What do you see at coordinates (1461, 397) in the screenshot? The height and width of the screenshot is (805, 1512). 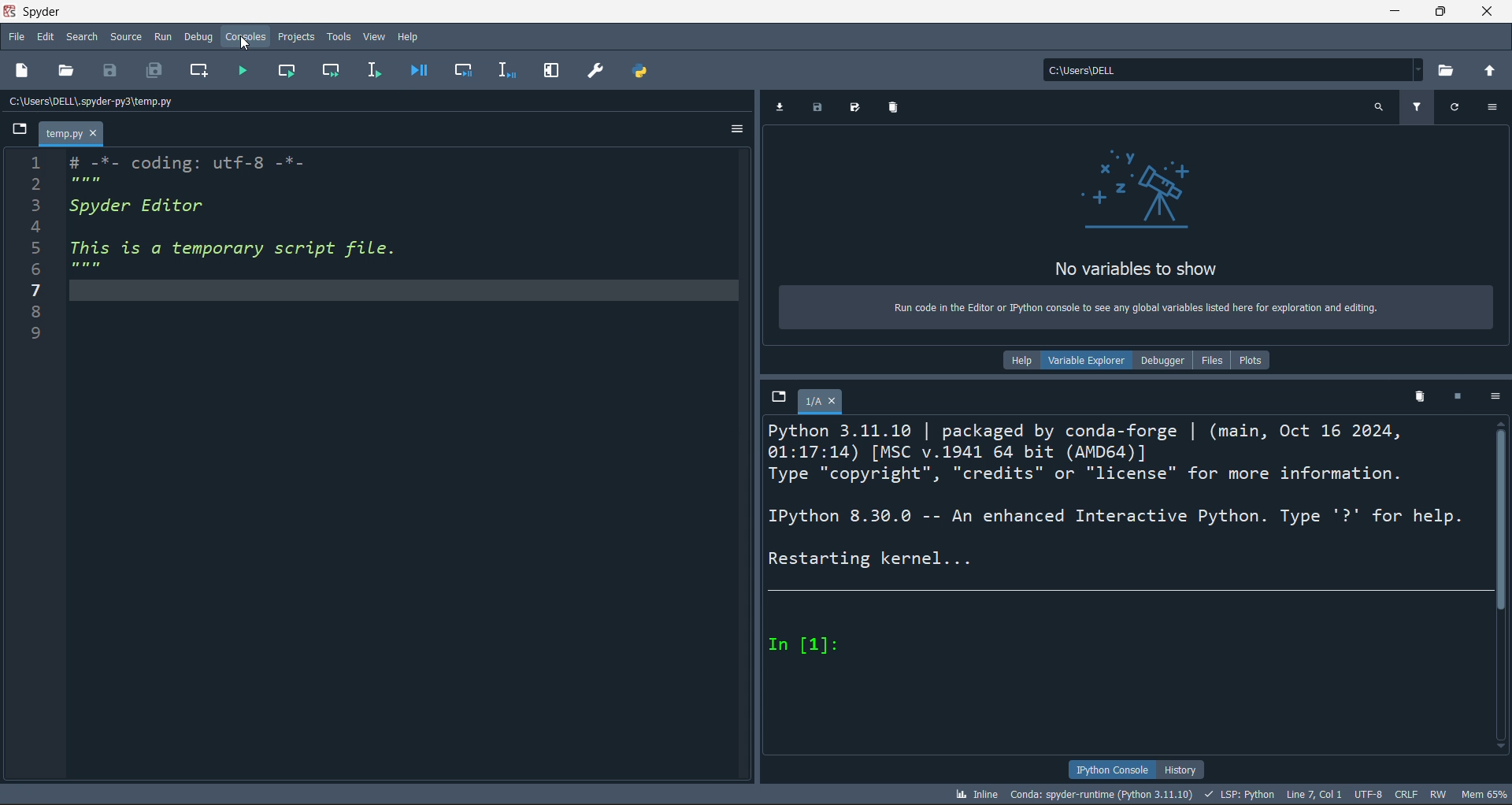 I see `stop kernel` at bounding box center [1461, 397].